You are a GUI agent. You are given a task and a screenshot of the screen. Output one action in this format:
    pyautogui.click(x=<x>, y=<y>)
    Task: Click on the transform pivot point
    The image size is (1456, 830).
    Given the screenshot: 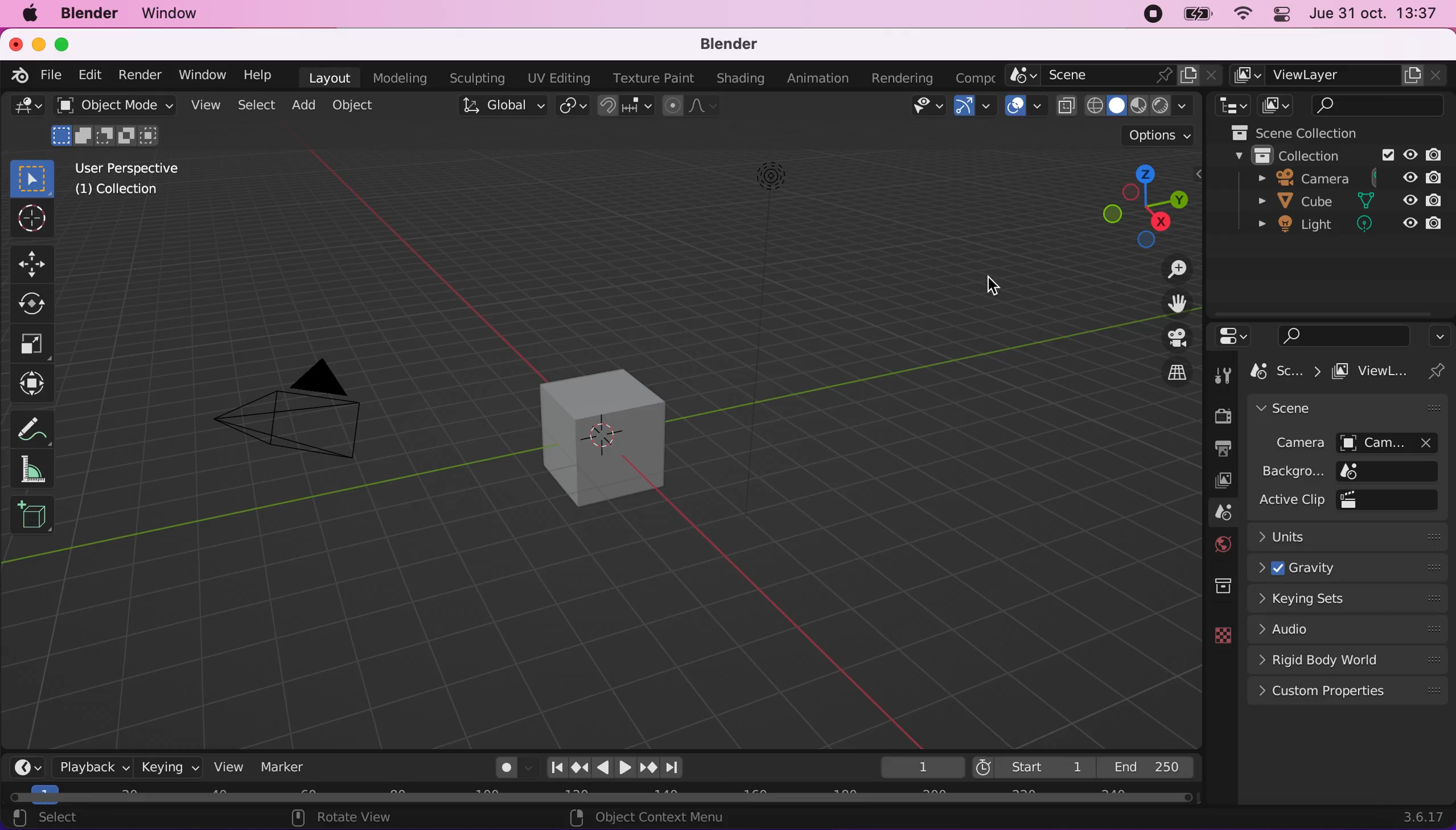 What is the action you would take?
    pyautogui.click(x=572, y=108)
    